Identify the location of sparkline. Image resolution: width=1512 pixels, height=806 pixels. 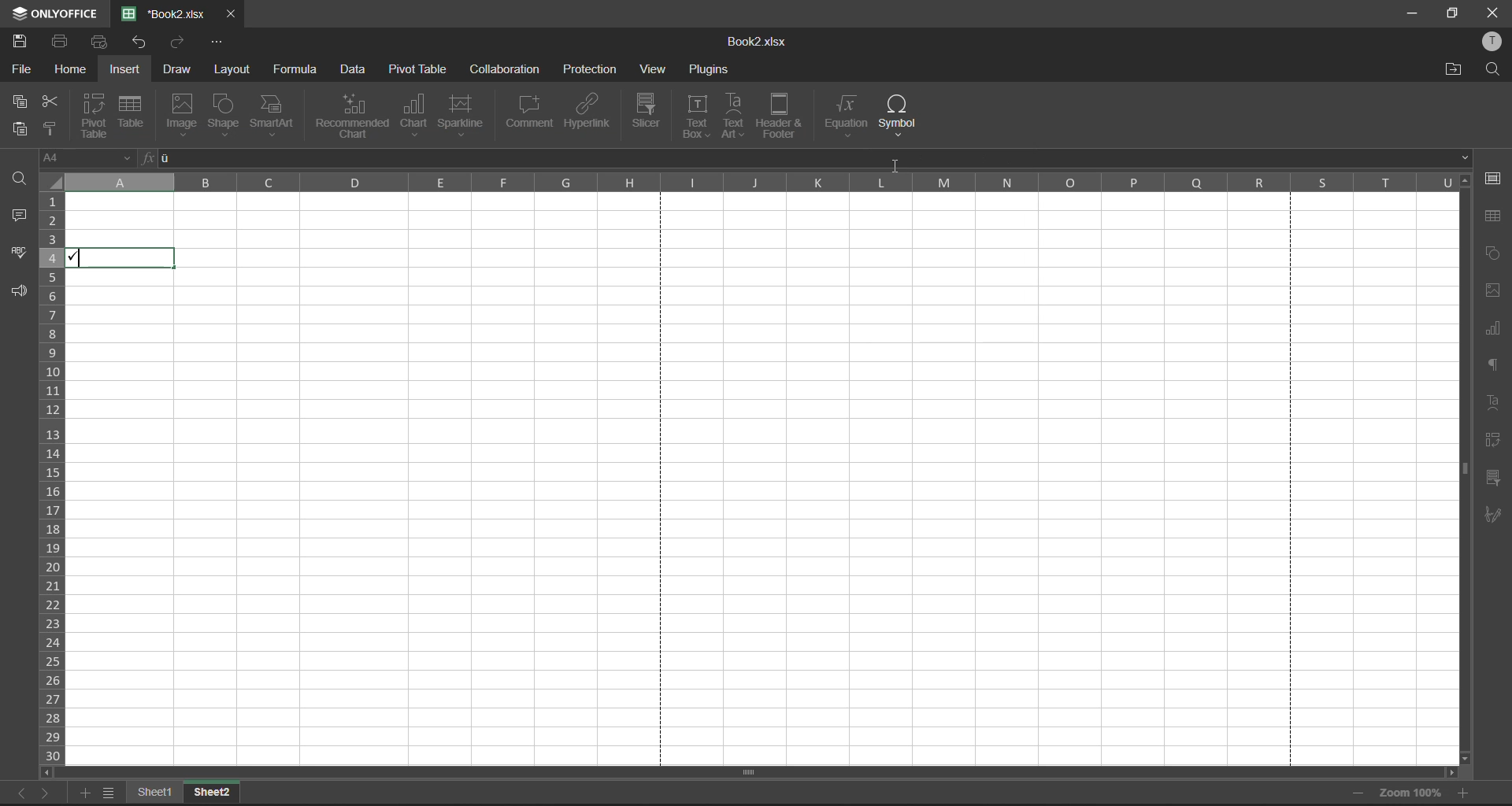
(461, 115).